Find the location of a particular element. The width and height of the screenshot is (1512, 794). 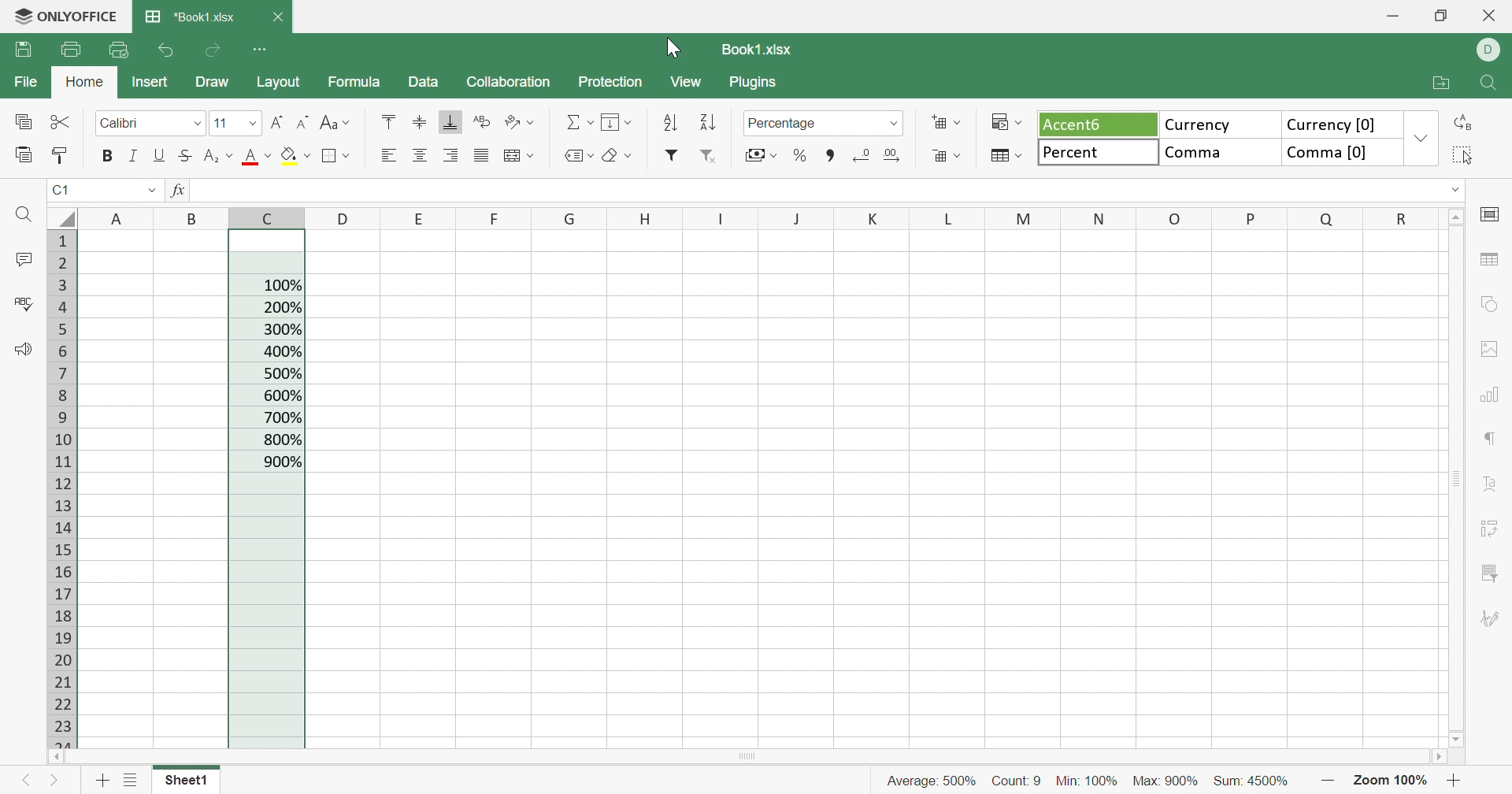

Fill color is located at coordinates (292, 153).